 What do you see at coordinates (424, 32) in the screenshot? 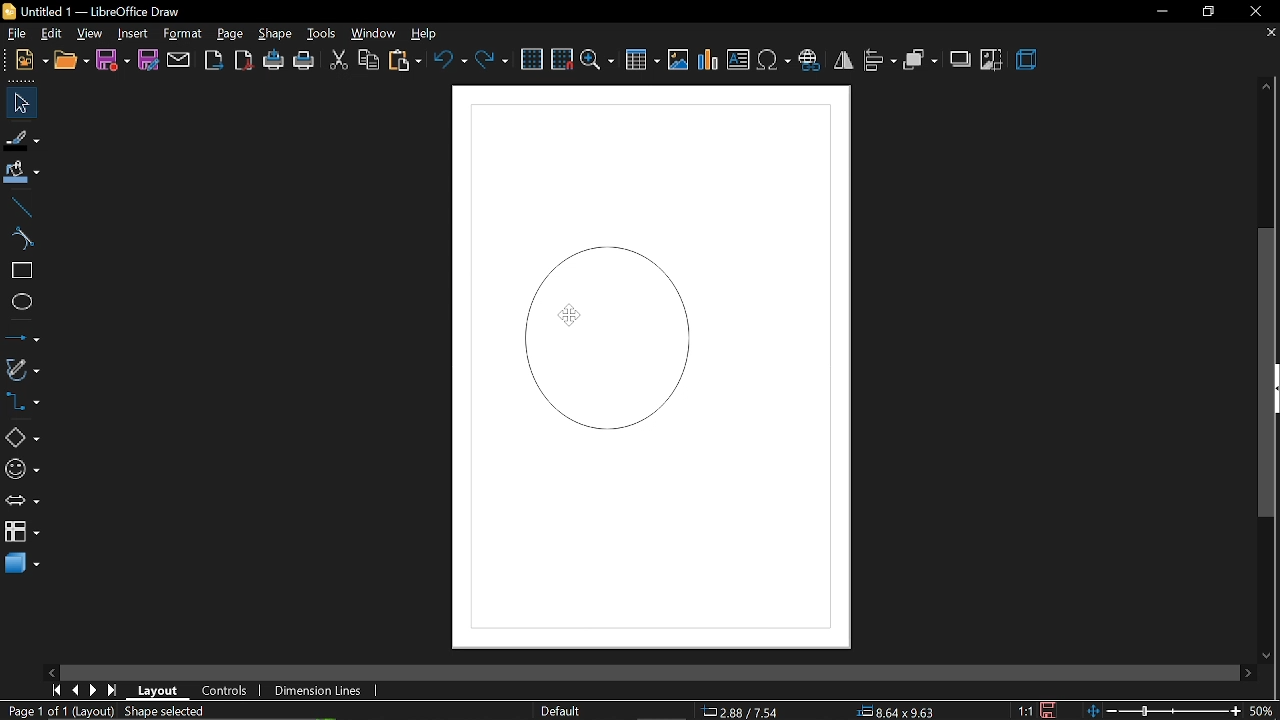
I see `help` at bounding box center [424, 32].